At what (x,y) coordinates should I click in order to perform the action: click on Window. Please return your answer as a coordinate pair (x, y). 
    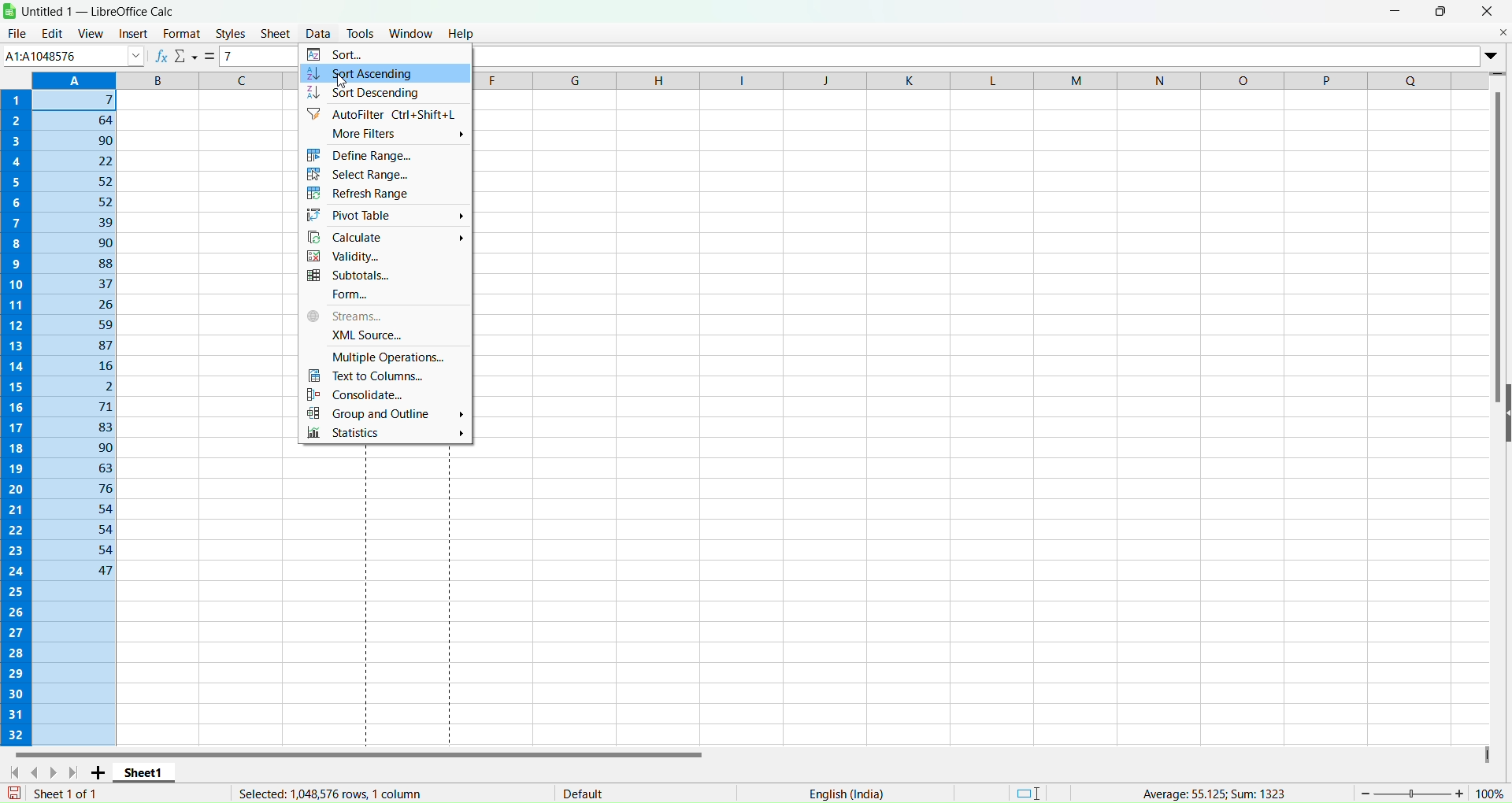
    Looking at the image, I should click on (411, 31).